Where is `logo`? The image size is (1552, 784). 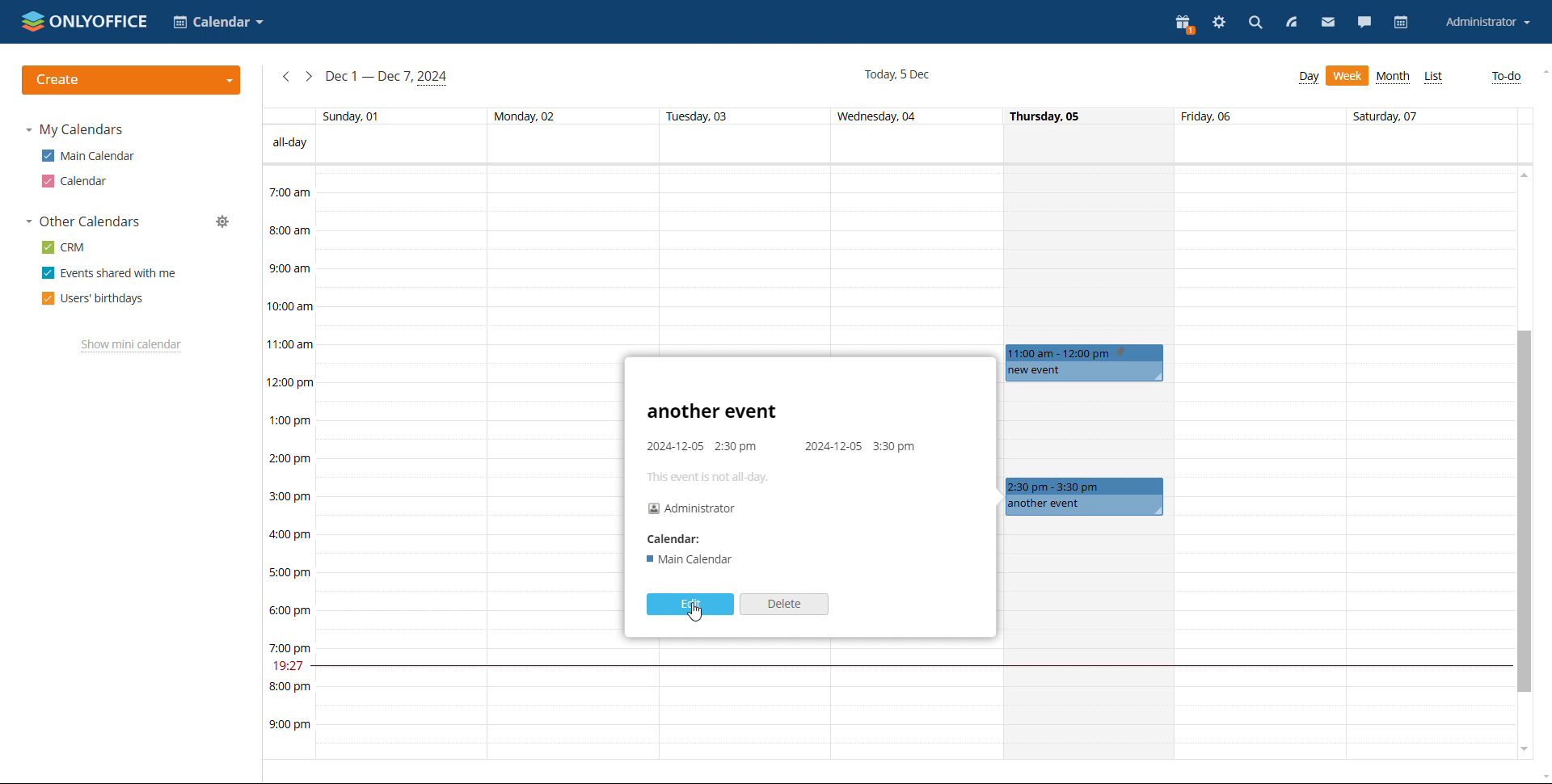
logo is located at coordinates (86, 21).